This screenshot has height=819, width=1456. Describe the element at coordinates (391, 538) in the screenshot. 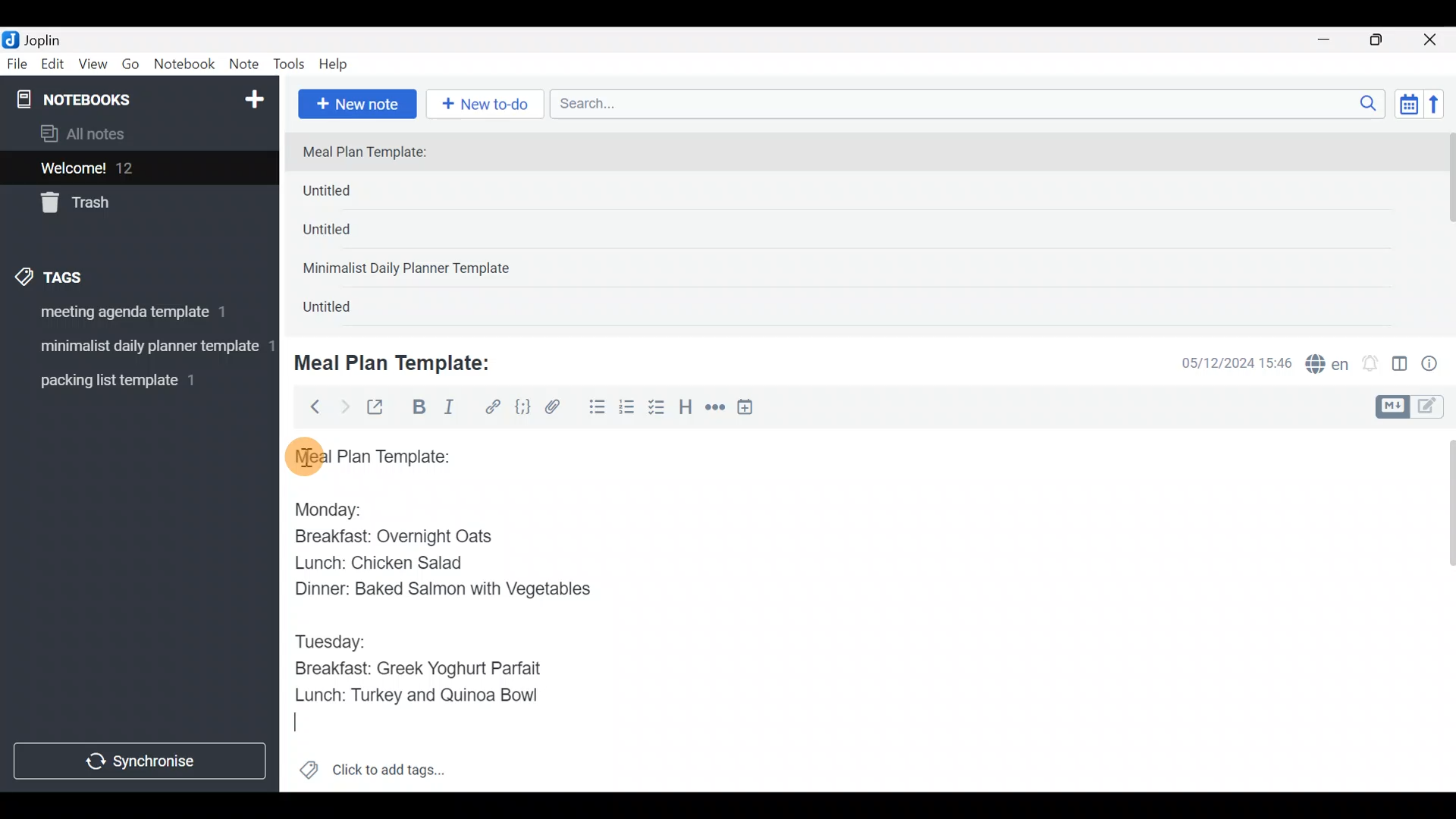

I see `Breakfast: Overnight Oats` at that location.